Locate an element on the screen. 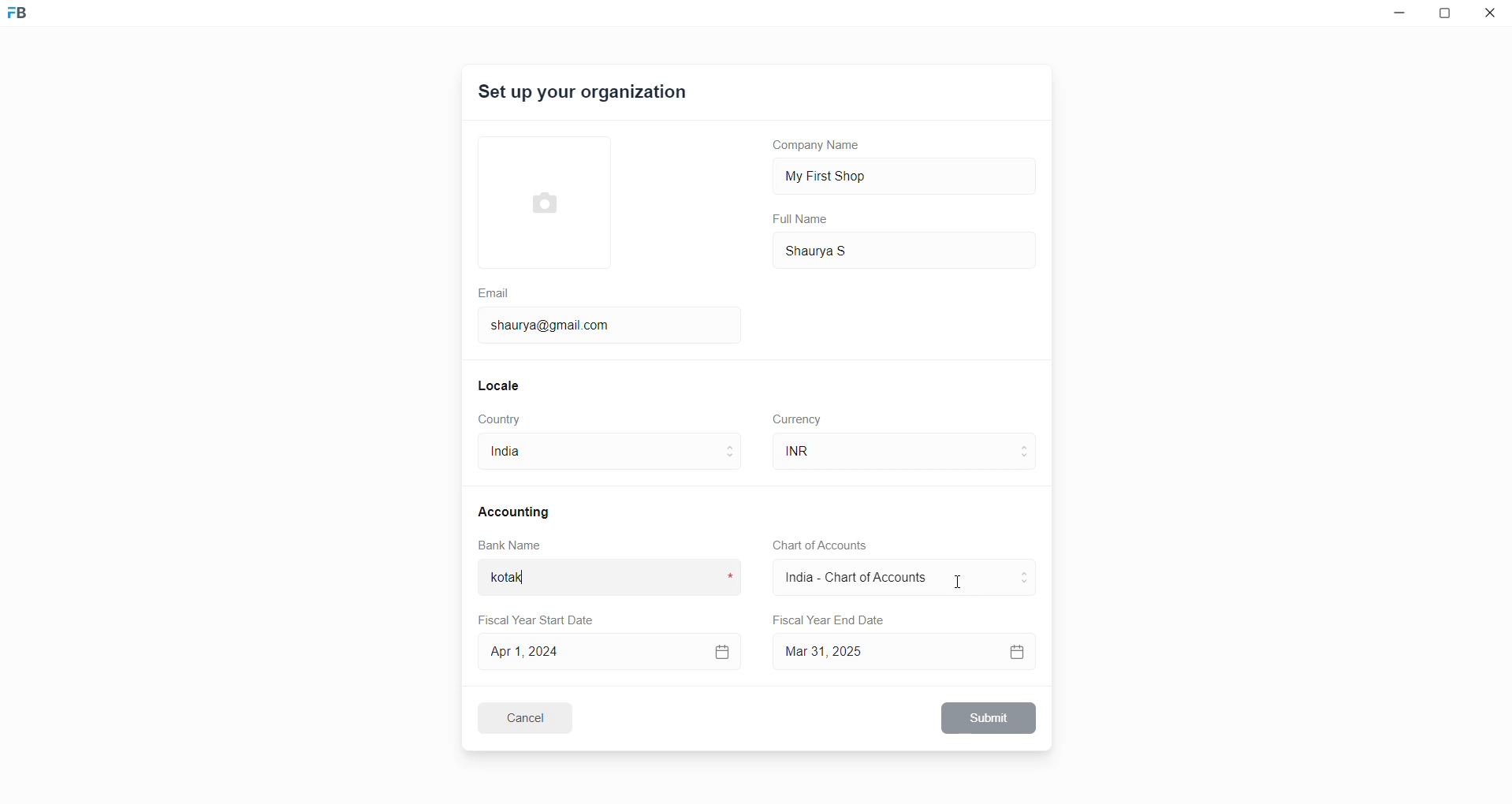  My First Shop is located at coordinates (851, 174).